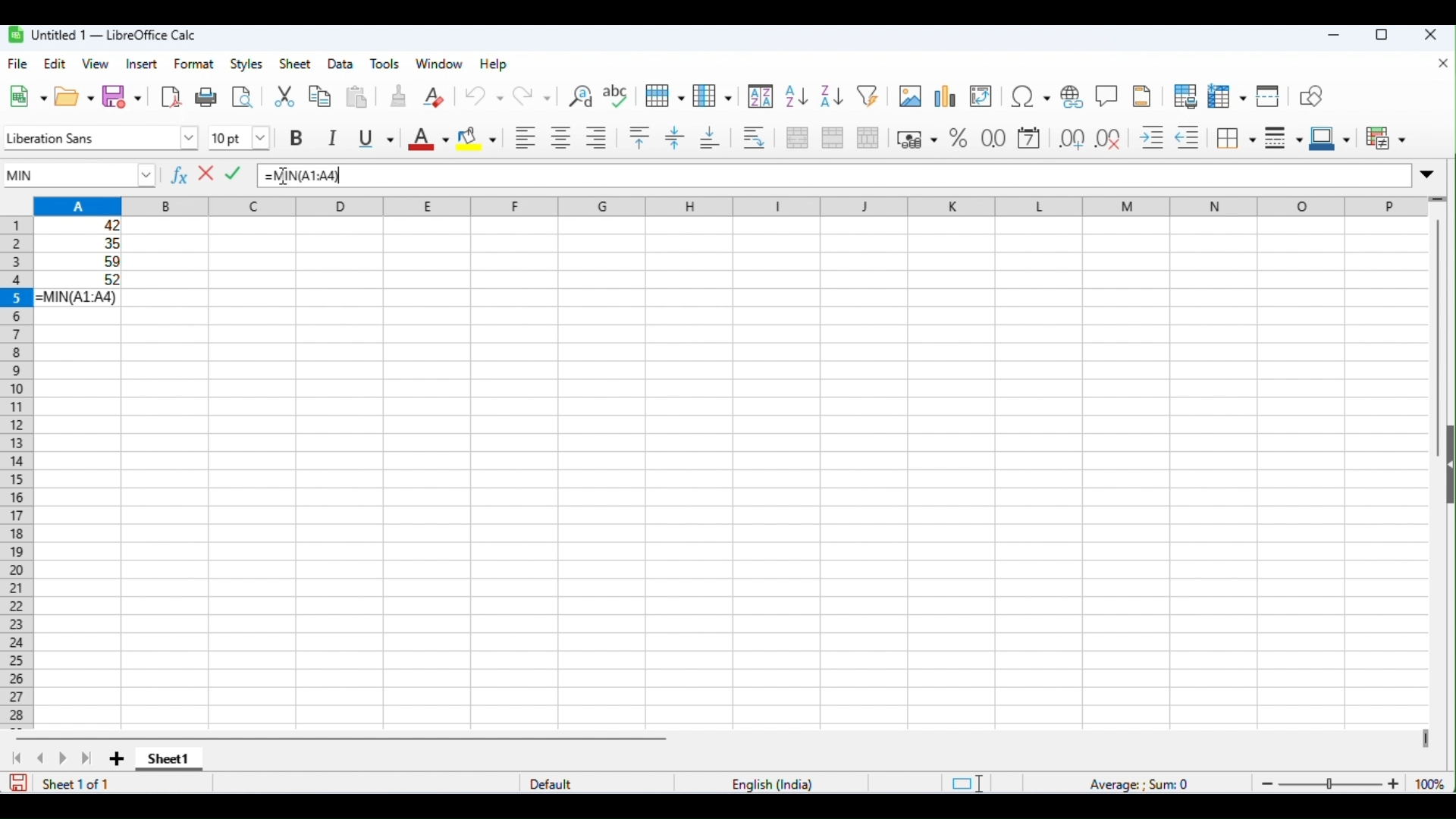 The image size is (1456, 819). What do you see at coordinates (909, 96) in the screenshot?
I see `insert image` at bounding box center [909, 96].